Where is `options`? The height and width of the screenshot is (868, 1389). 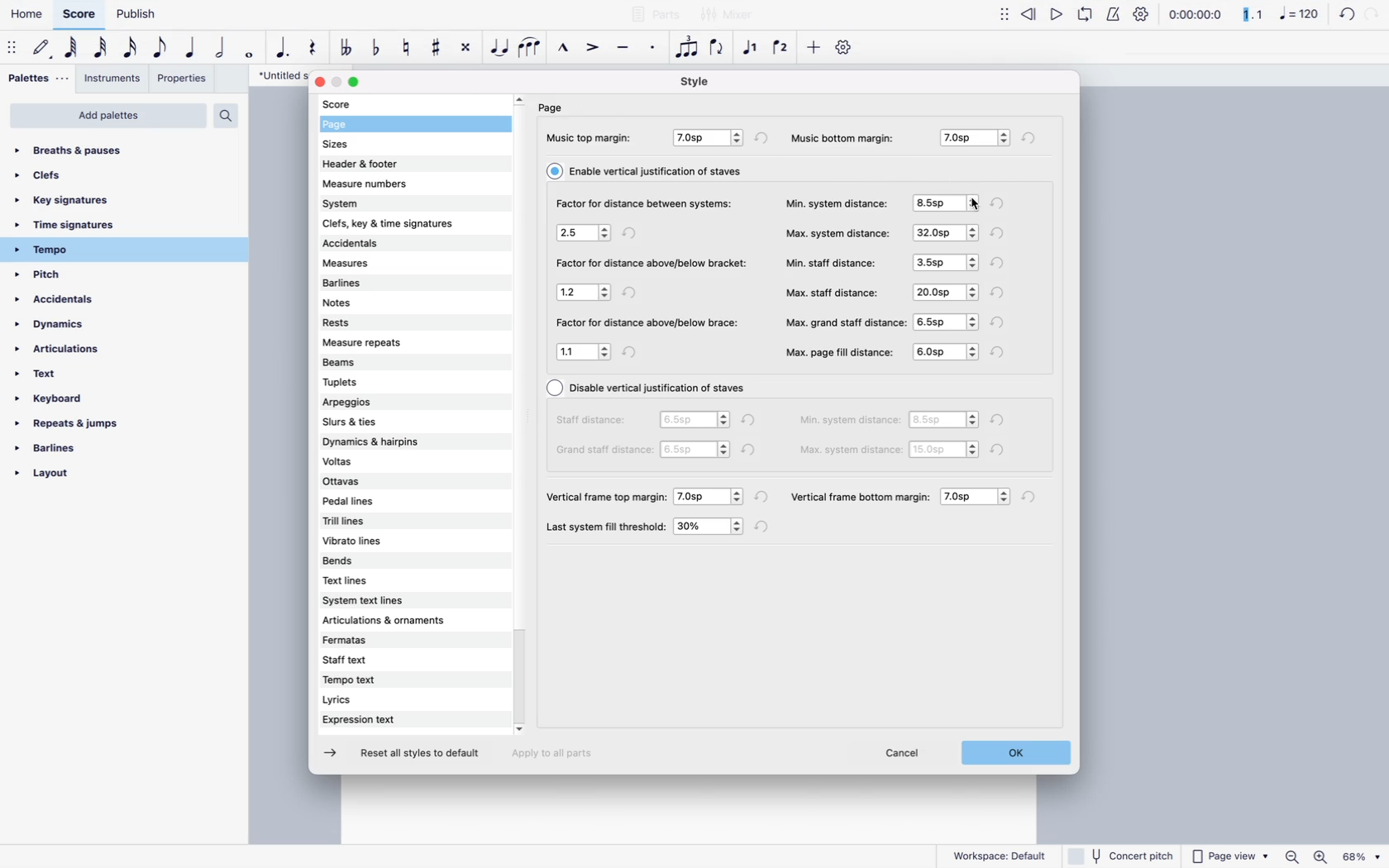
options is located at coordinates (945, 451).